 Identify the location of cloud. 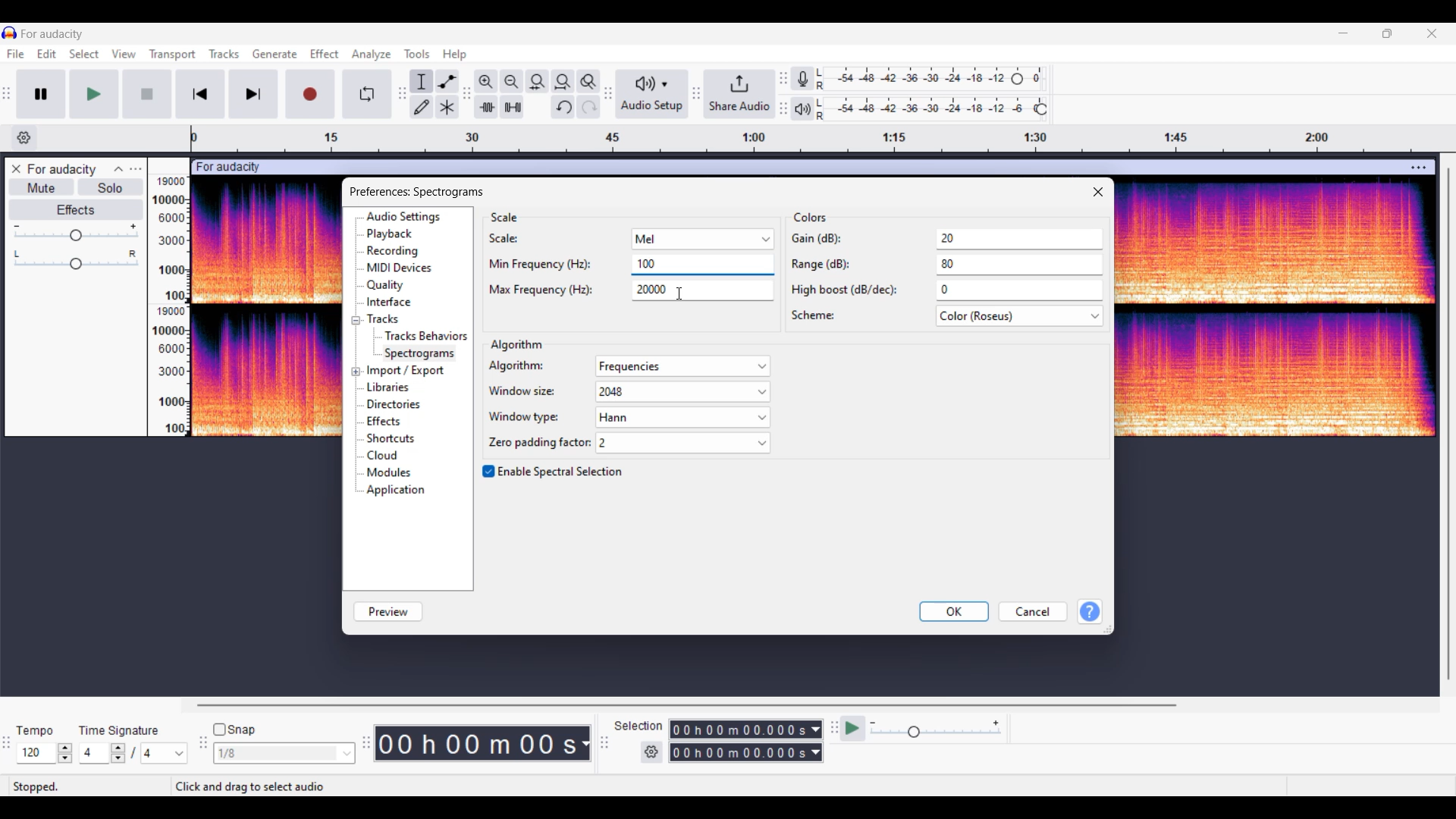
(388, 457).